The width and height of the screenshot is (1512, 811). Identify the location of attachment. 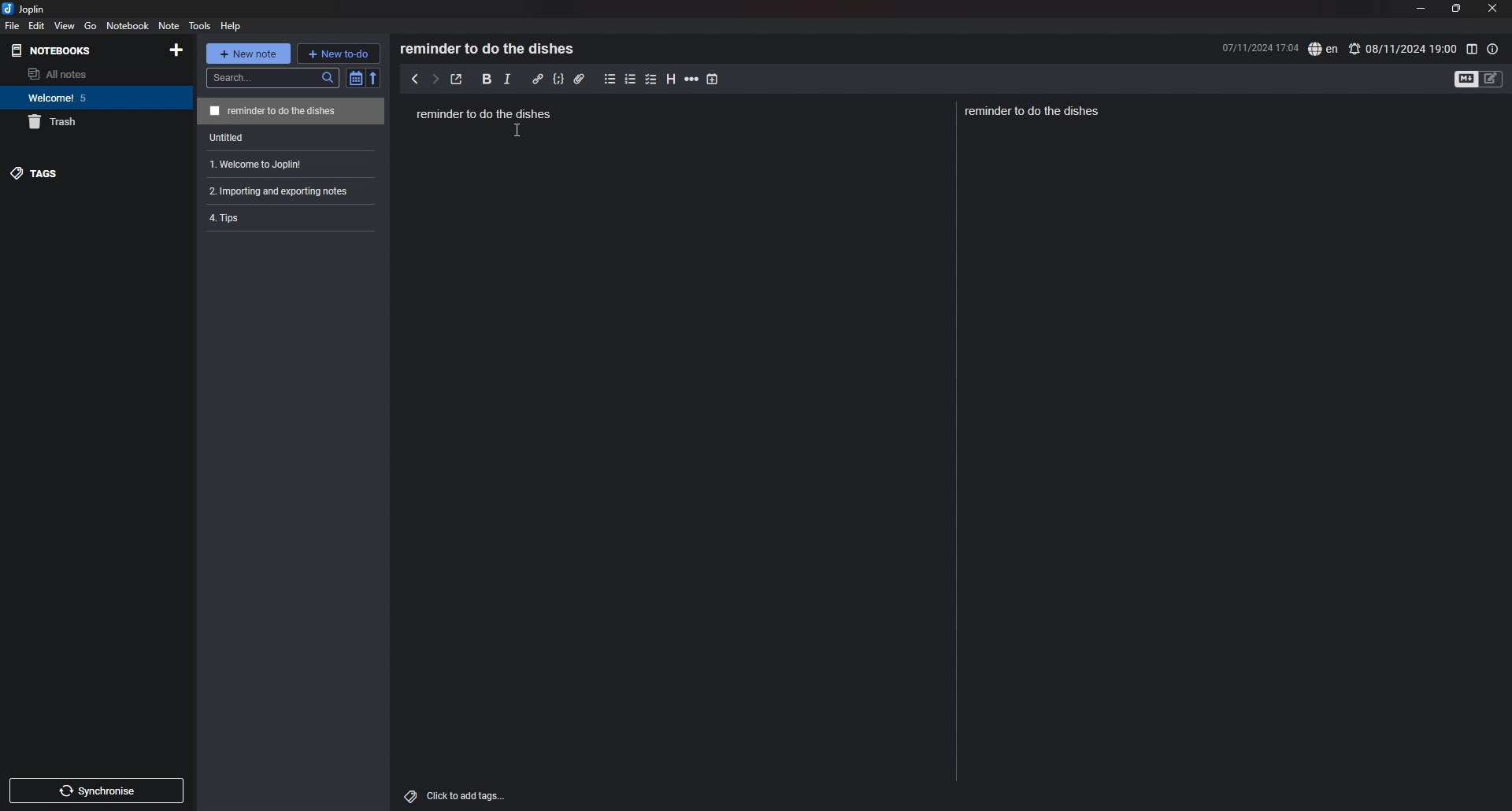
(580, 80).